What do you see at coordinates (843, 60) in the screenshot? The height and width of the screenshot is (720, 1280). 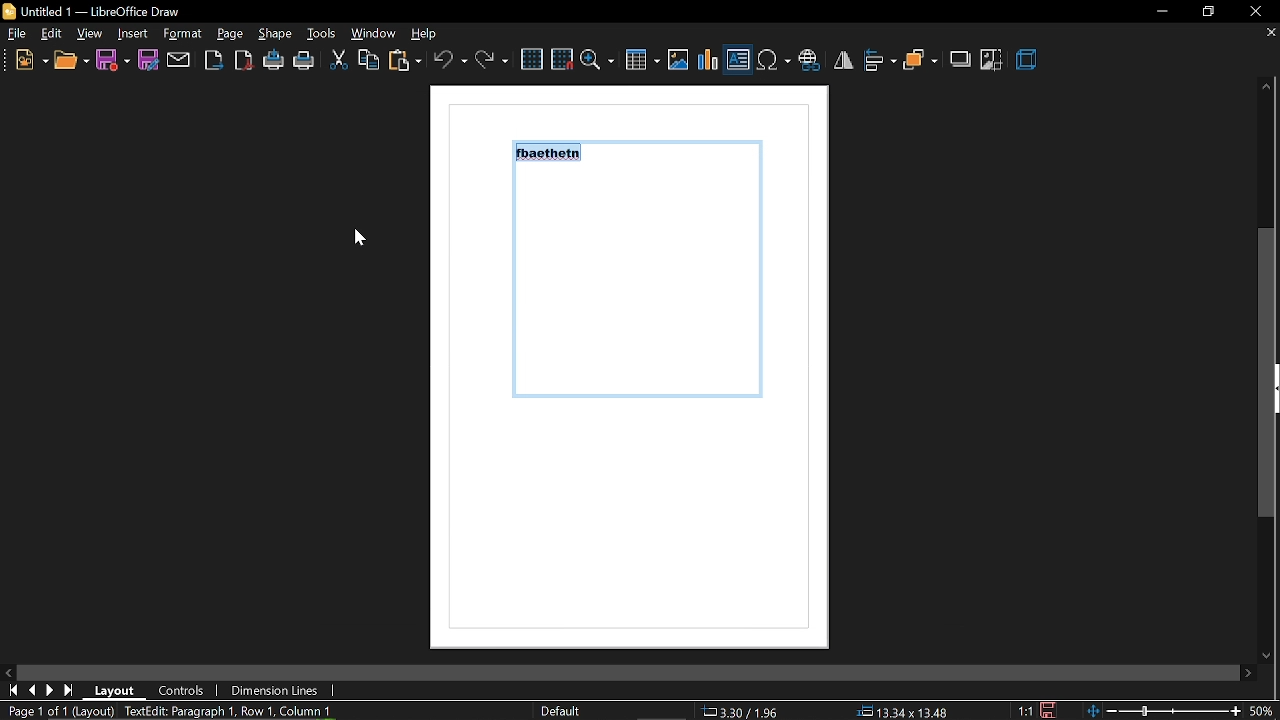 I see `flip` at bounding box center [843, 60].